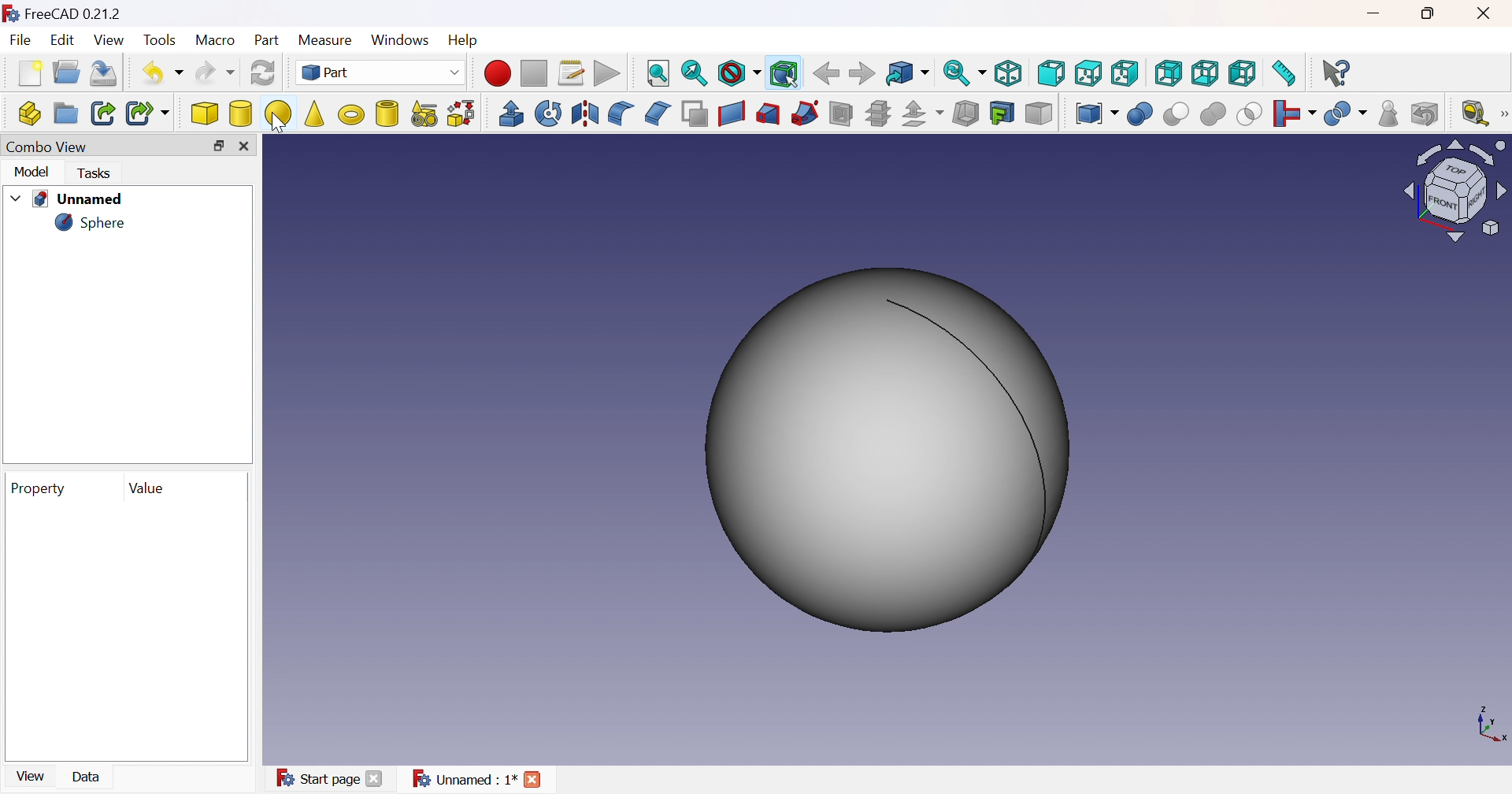 This screenshot has width=1512, height=794. Describe the element at coordinates (113, 41) in the screenshot. I see `View` at that location.